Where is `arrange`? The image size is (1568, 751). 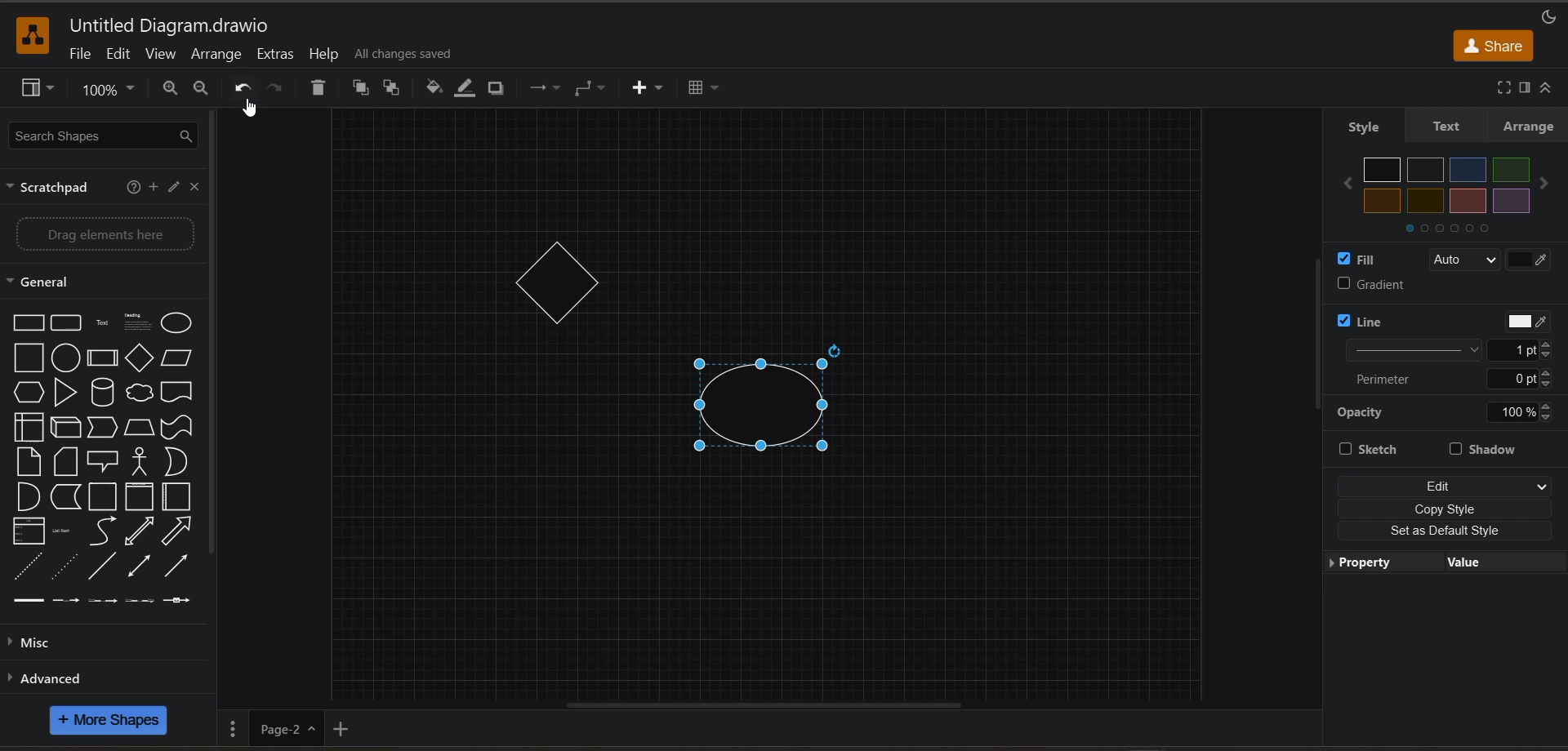
arrange is located at coordinates (216, 56).